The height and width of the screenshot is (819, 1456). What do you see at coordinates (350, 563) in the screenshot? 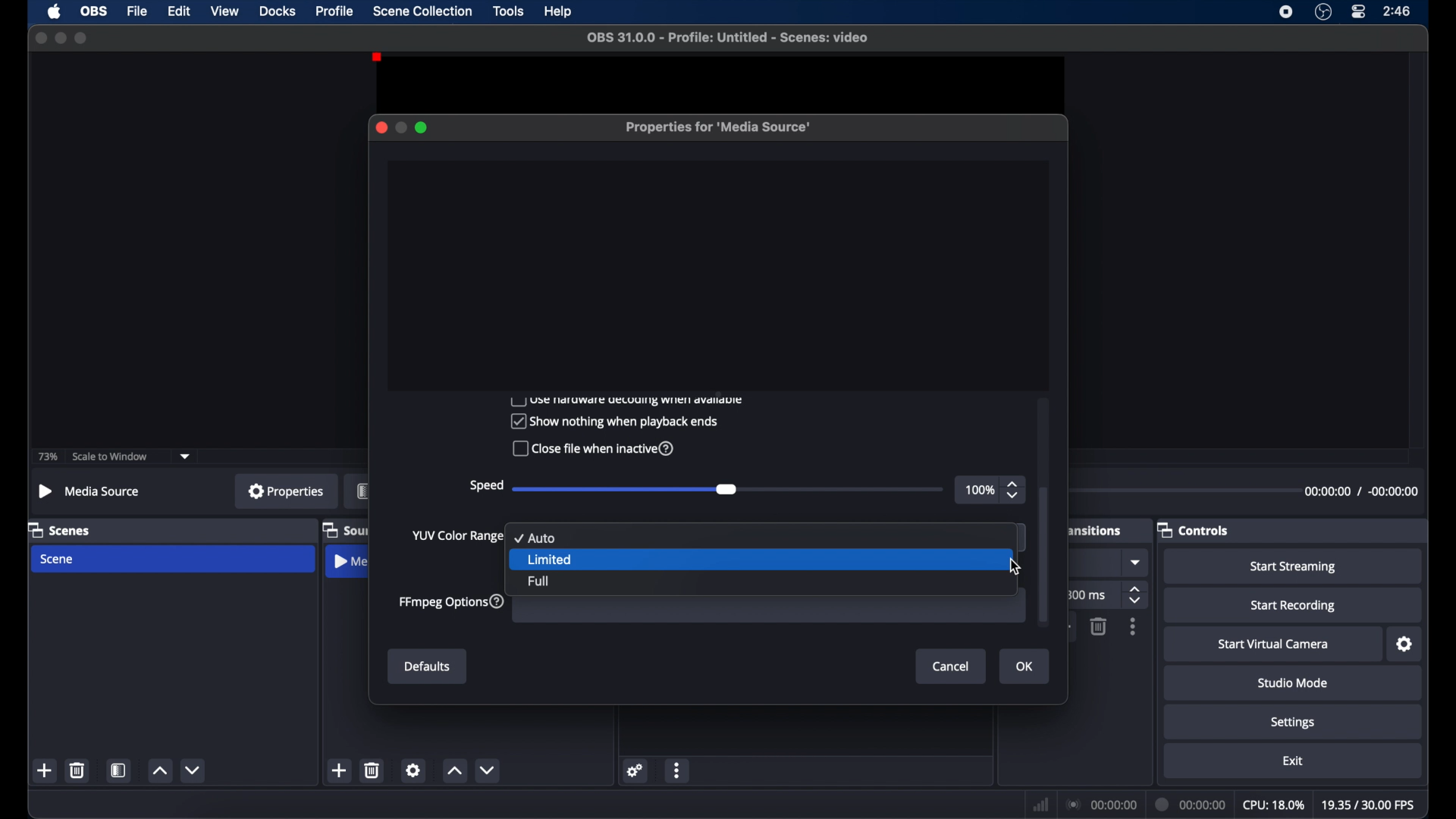
I see `media source` at bounding box center [350, 563].